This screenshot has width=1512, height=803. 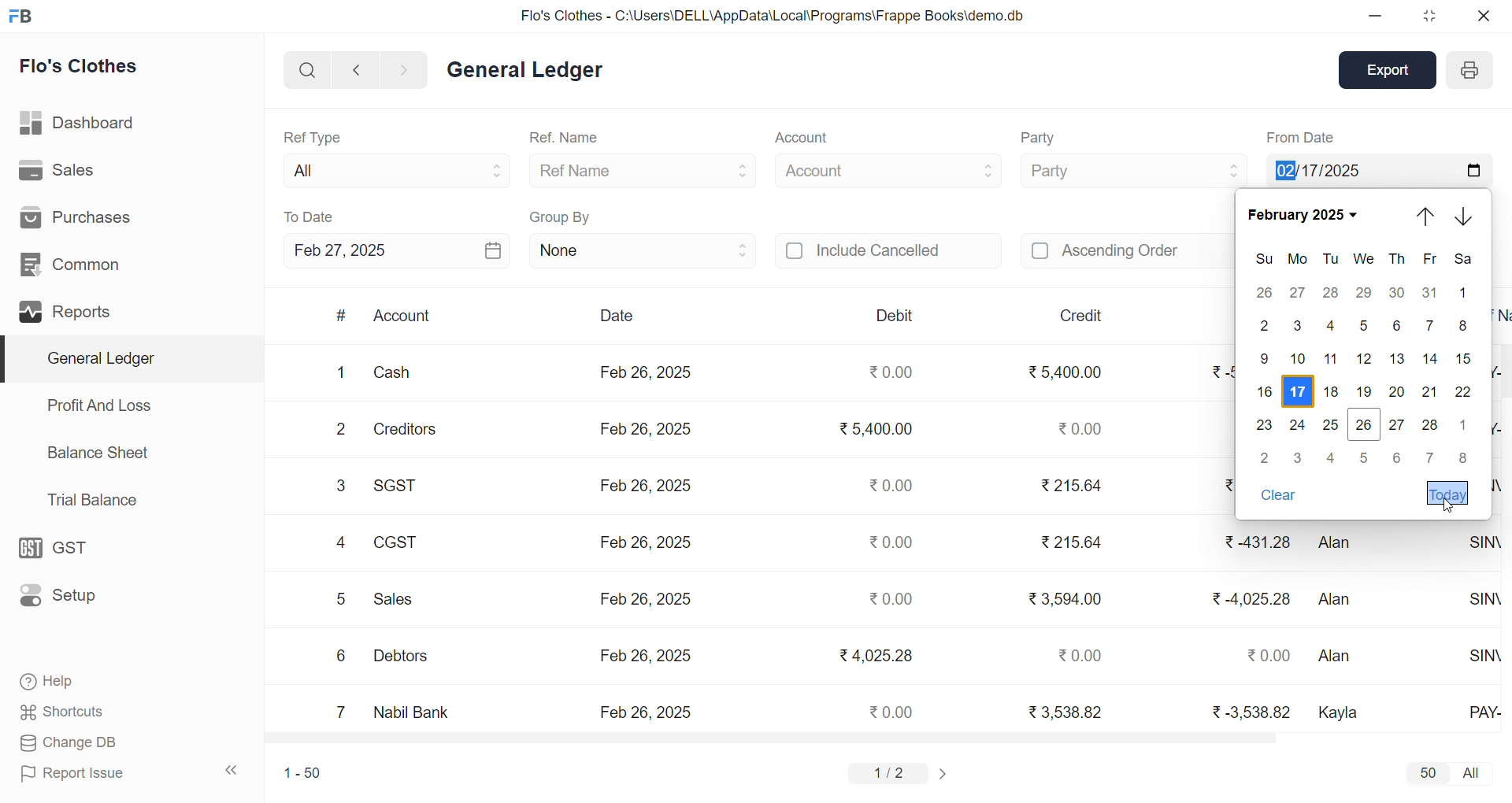 What do you see at coordinates (68, 309) in the screenshot?
I see `Reports` at bounding box center [68, 309].